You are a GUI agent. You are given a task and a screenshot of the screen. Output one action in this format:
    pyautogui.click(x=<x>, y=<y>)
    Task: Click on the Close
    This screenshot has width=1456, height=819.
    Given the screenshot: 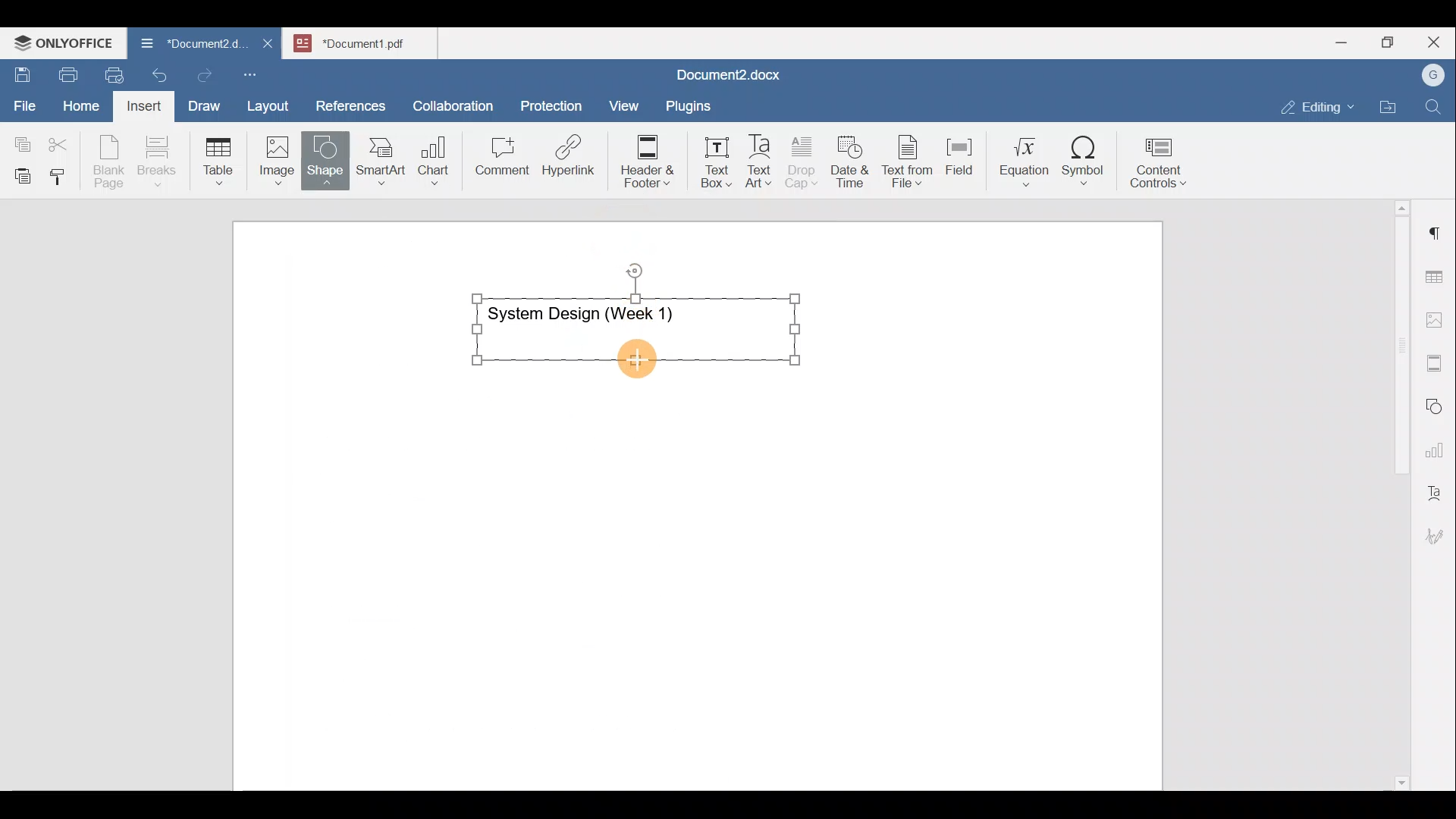 What is the action you would take?
    pyautogui.click(x=1436, y=43)
    